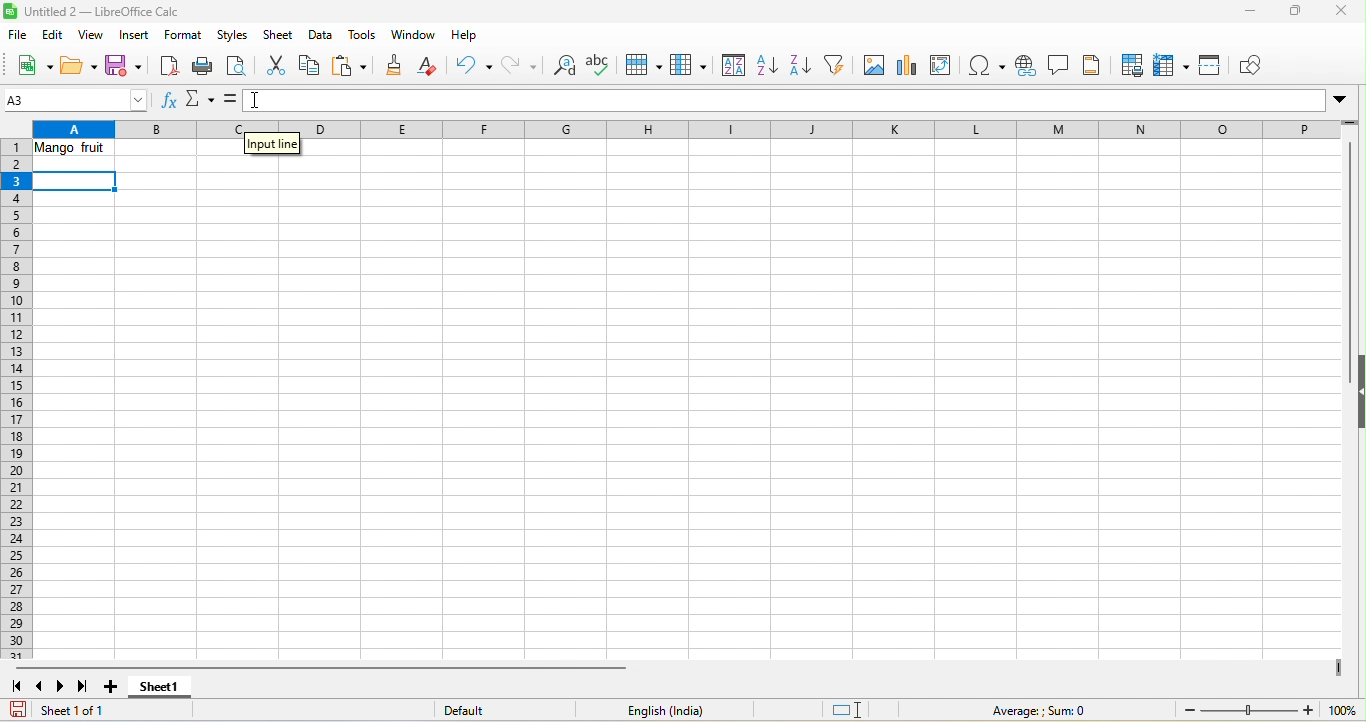 This screenshot has height=722, width=1366. Describe the element at coordinates (364, 35) in the screenshot. I see `tools` at that location.